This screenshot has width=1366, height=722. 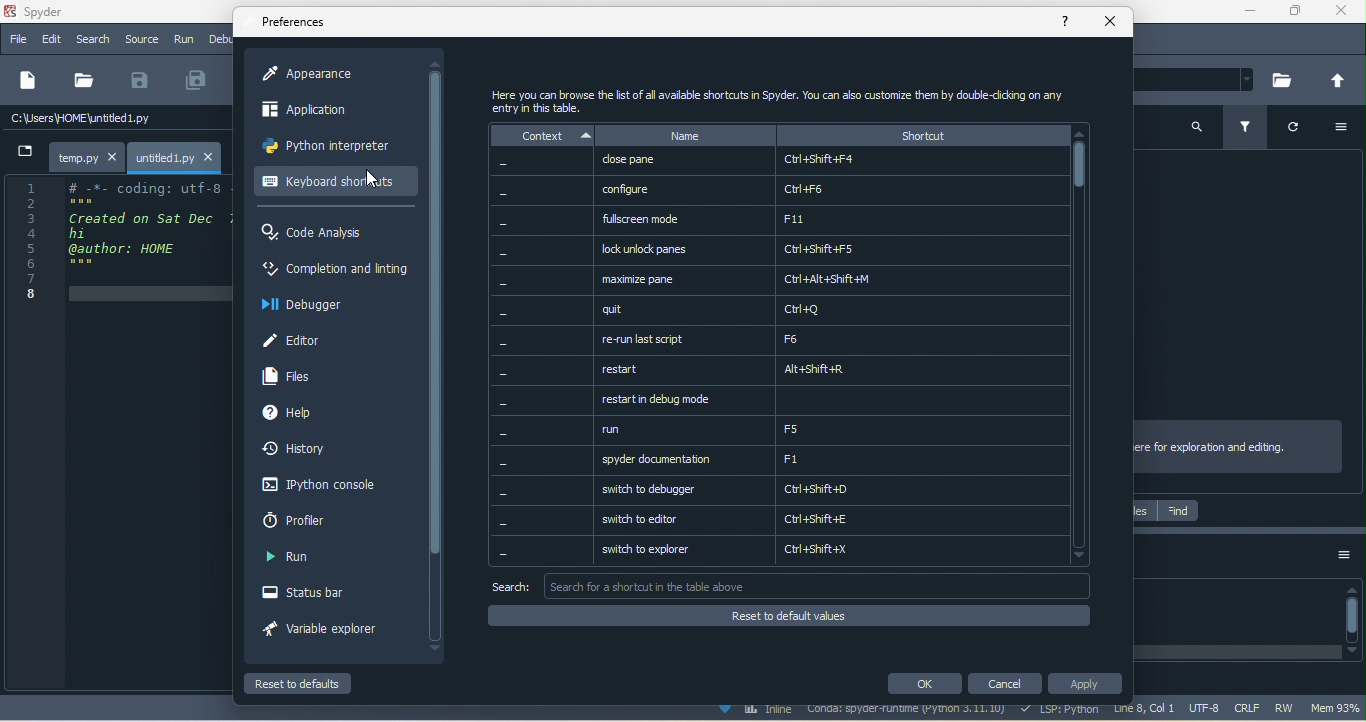 I want to click on rw, so click(x=1286, y=707).